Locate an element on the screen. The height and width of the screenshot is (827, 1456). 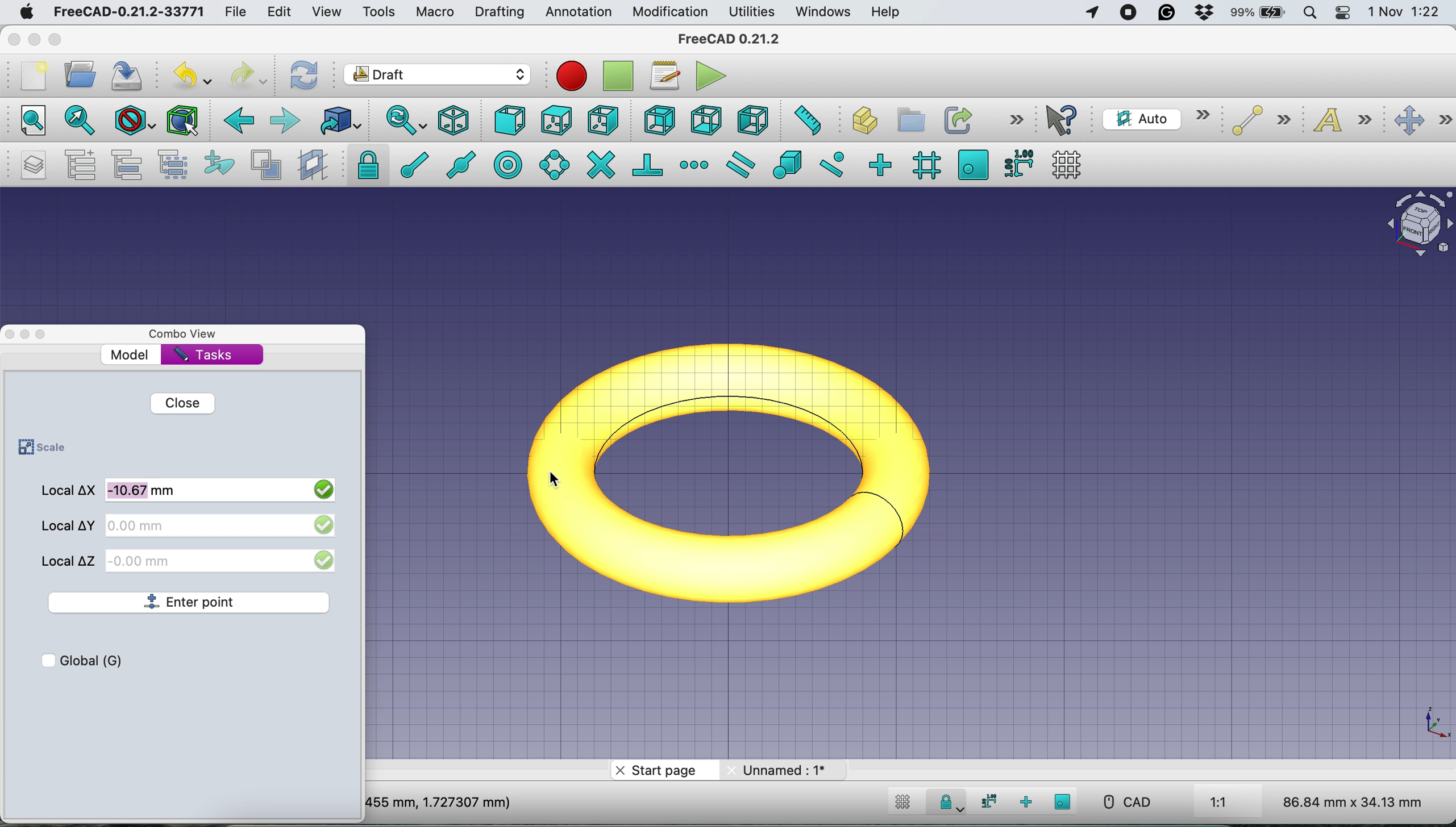
what's this is located at coordinates (1065, 120).